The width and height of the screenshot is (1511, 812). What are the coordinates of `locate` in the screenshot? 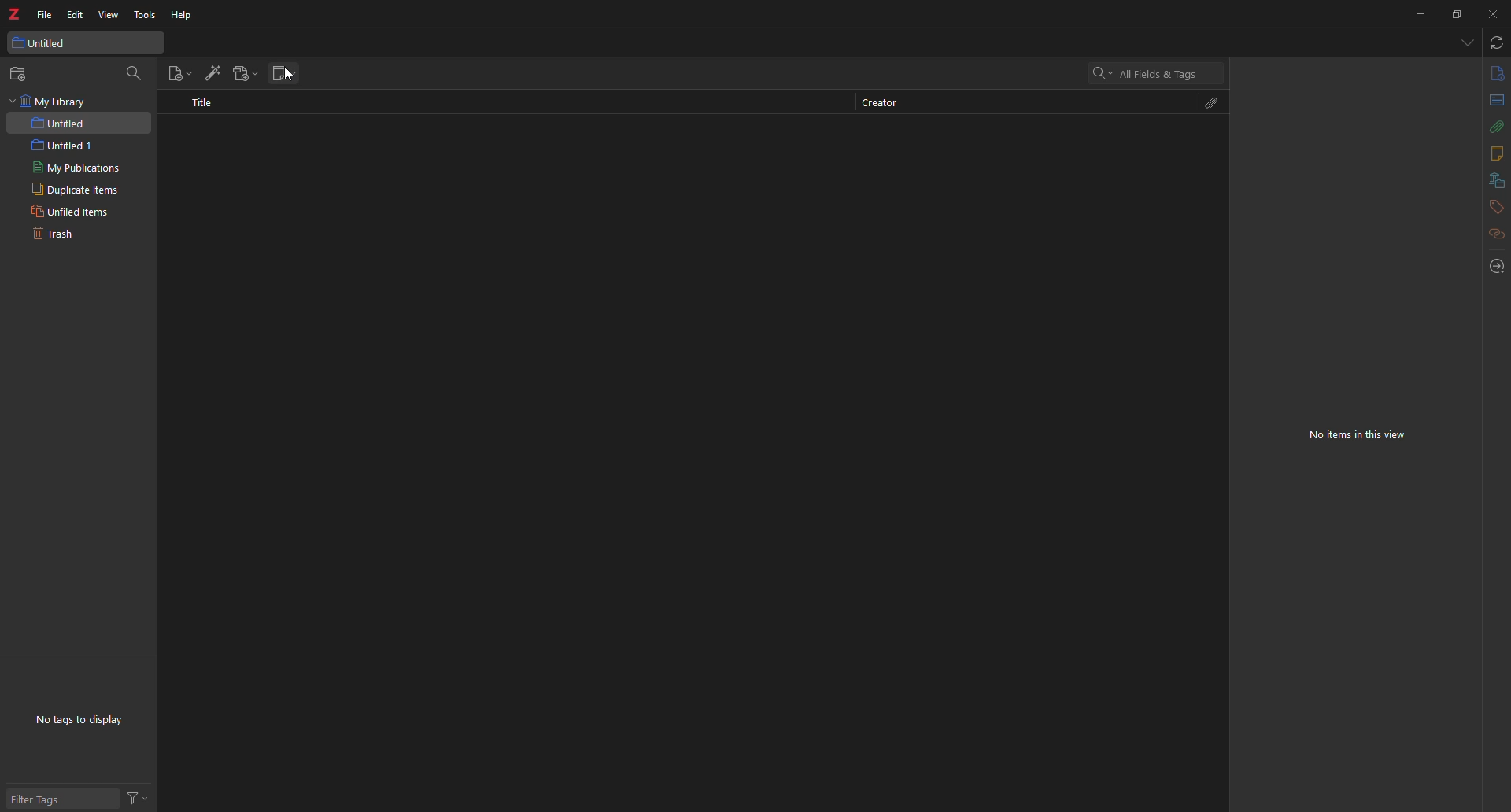 It's located at (1490, 267).